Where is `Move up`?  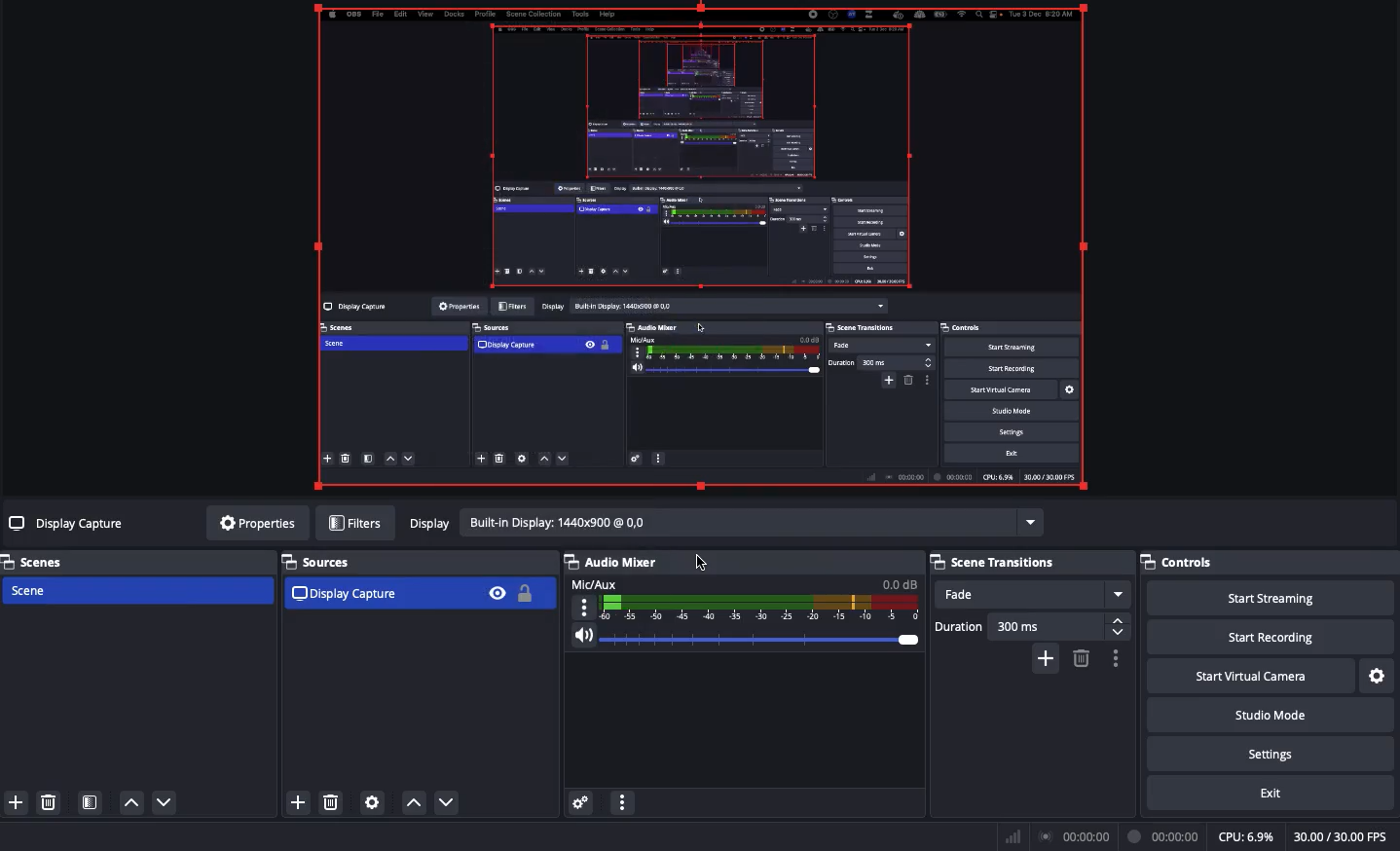
Move up is located at coordinates (133, 805).